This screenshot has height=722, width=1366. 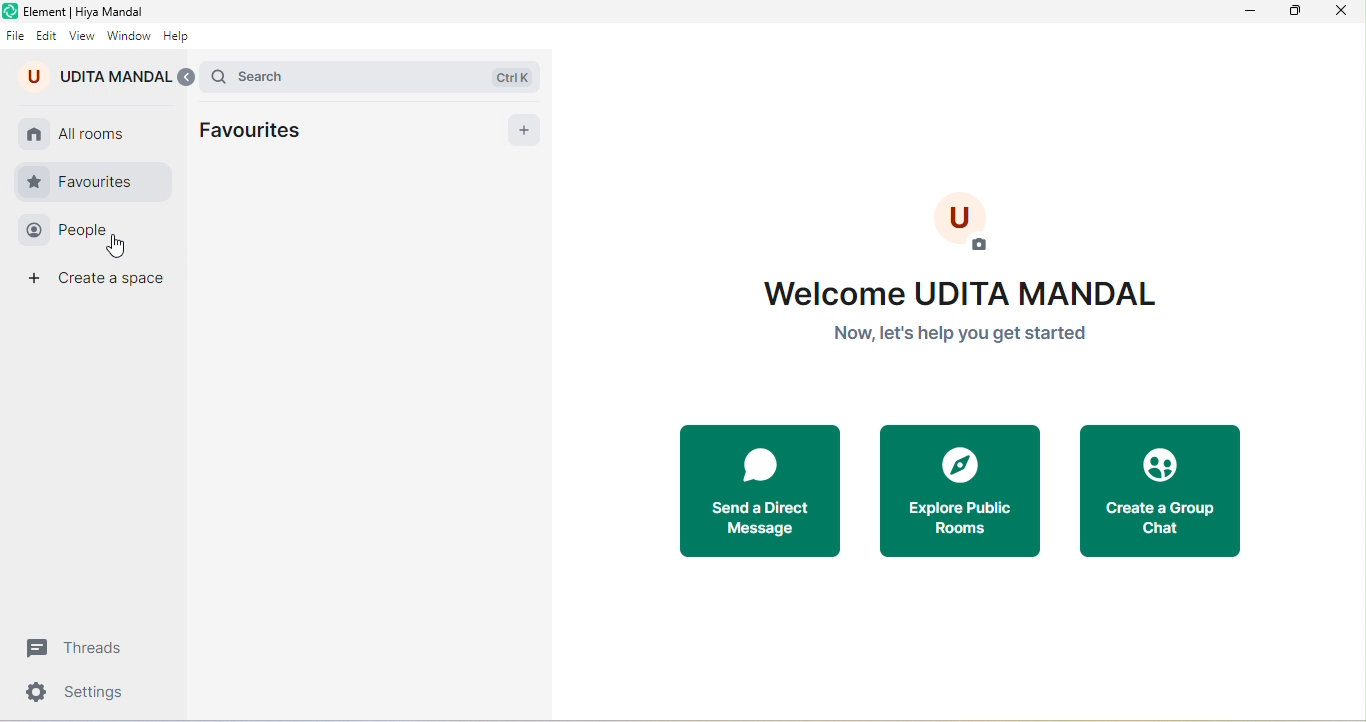 I want to click on create space, so click(x=100, y=282).